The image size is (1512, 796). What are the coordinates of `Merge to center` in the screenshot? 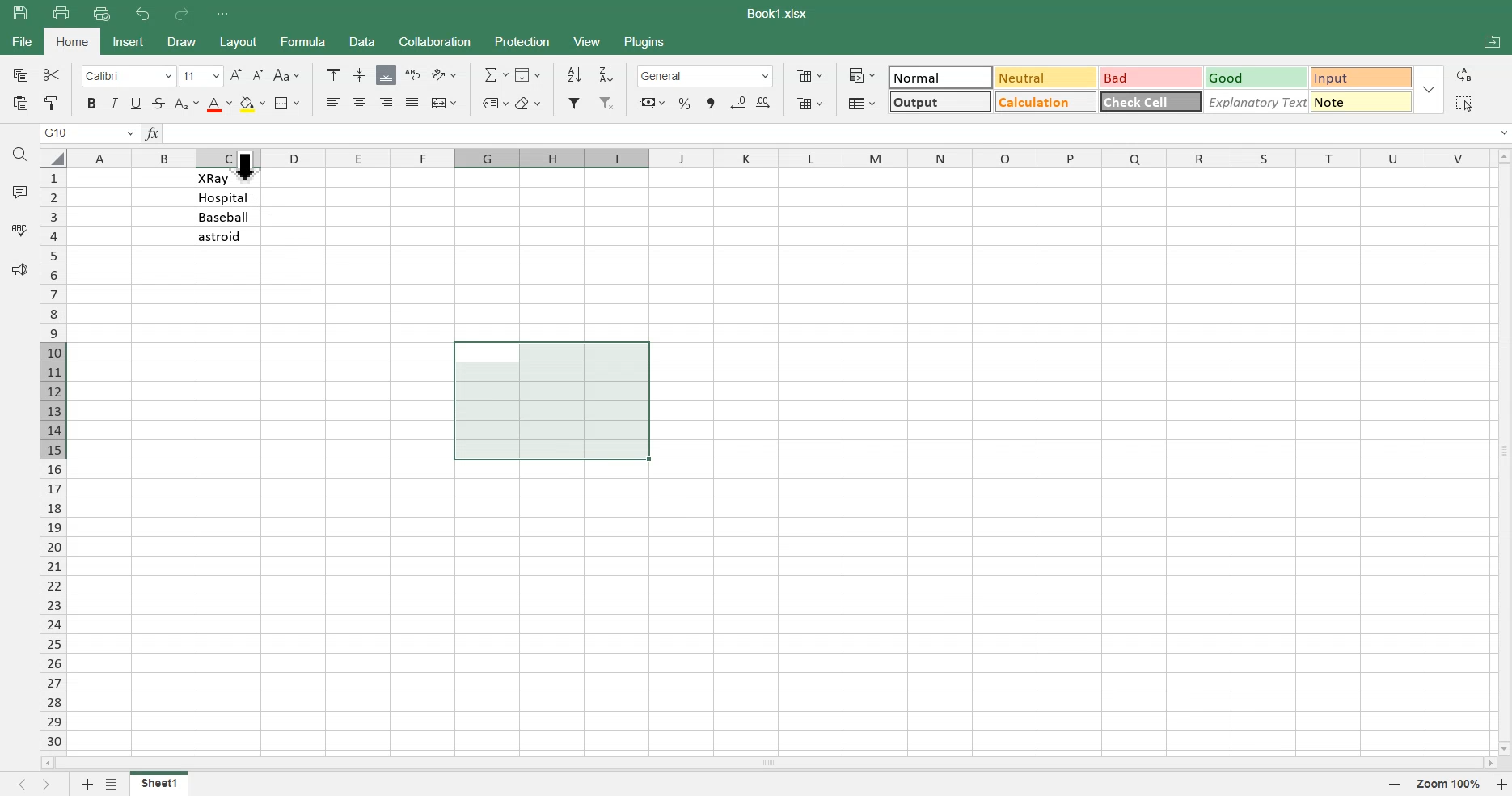 It's located at (443, 103).